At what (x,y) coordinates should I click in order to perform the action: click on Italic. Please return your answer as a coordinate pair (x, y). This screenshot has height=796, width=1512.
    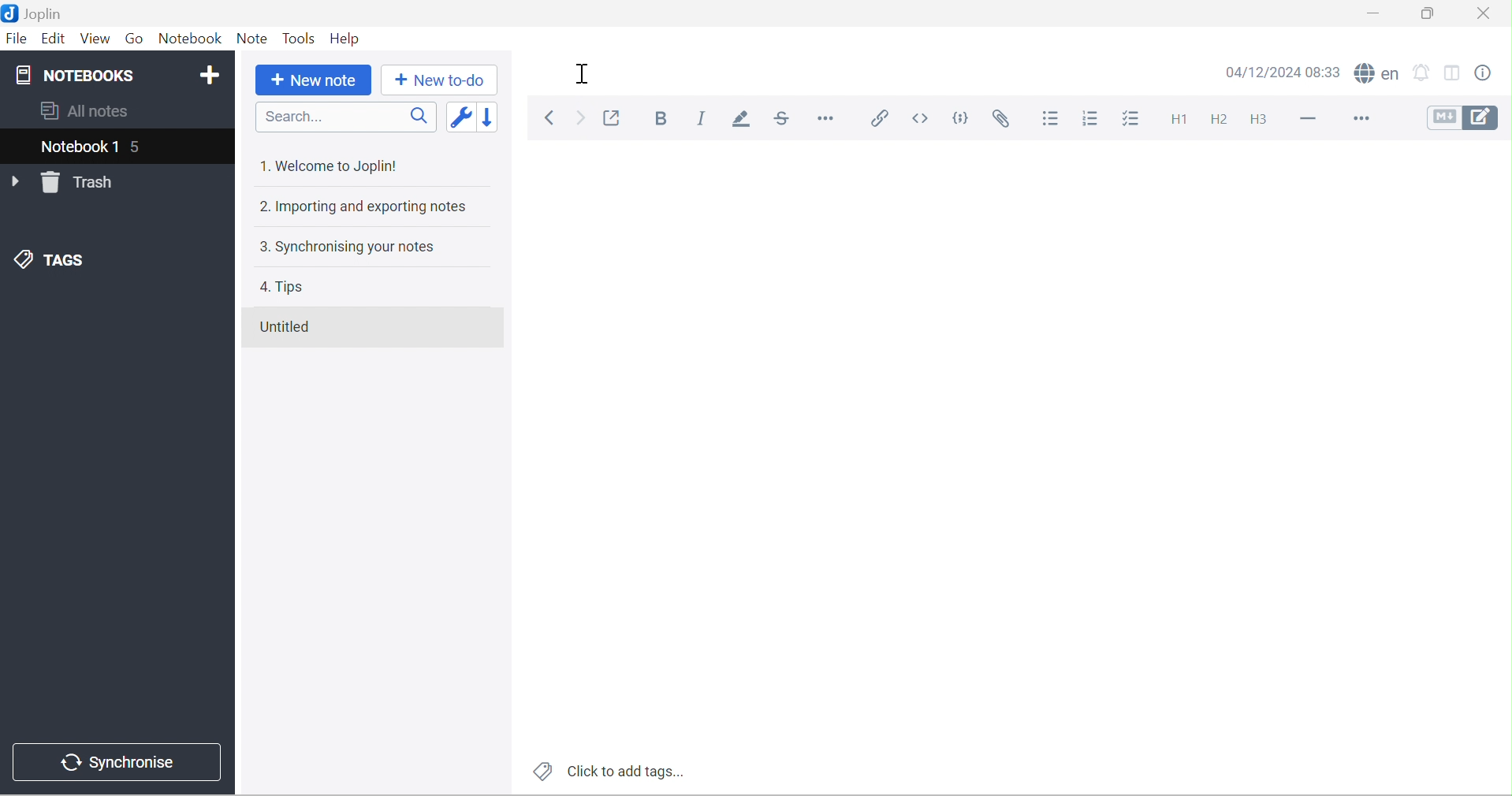
    Looking at the image, I should click on (705, 117).